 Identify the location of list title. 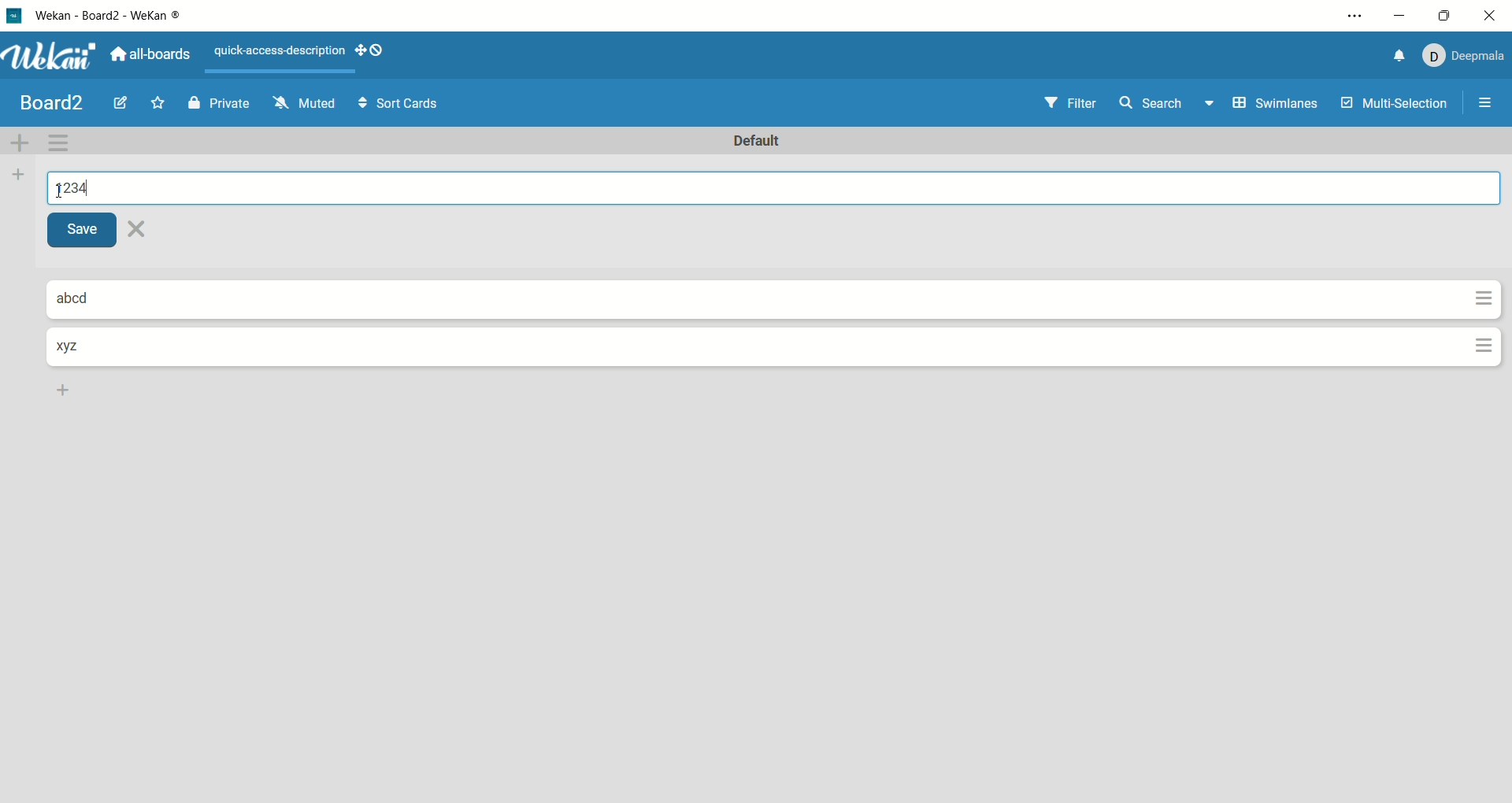
(87, 299).